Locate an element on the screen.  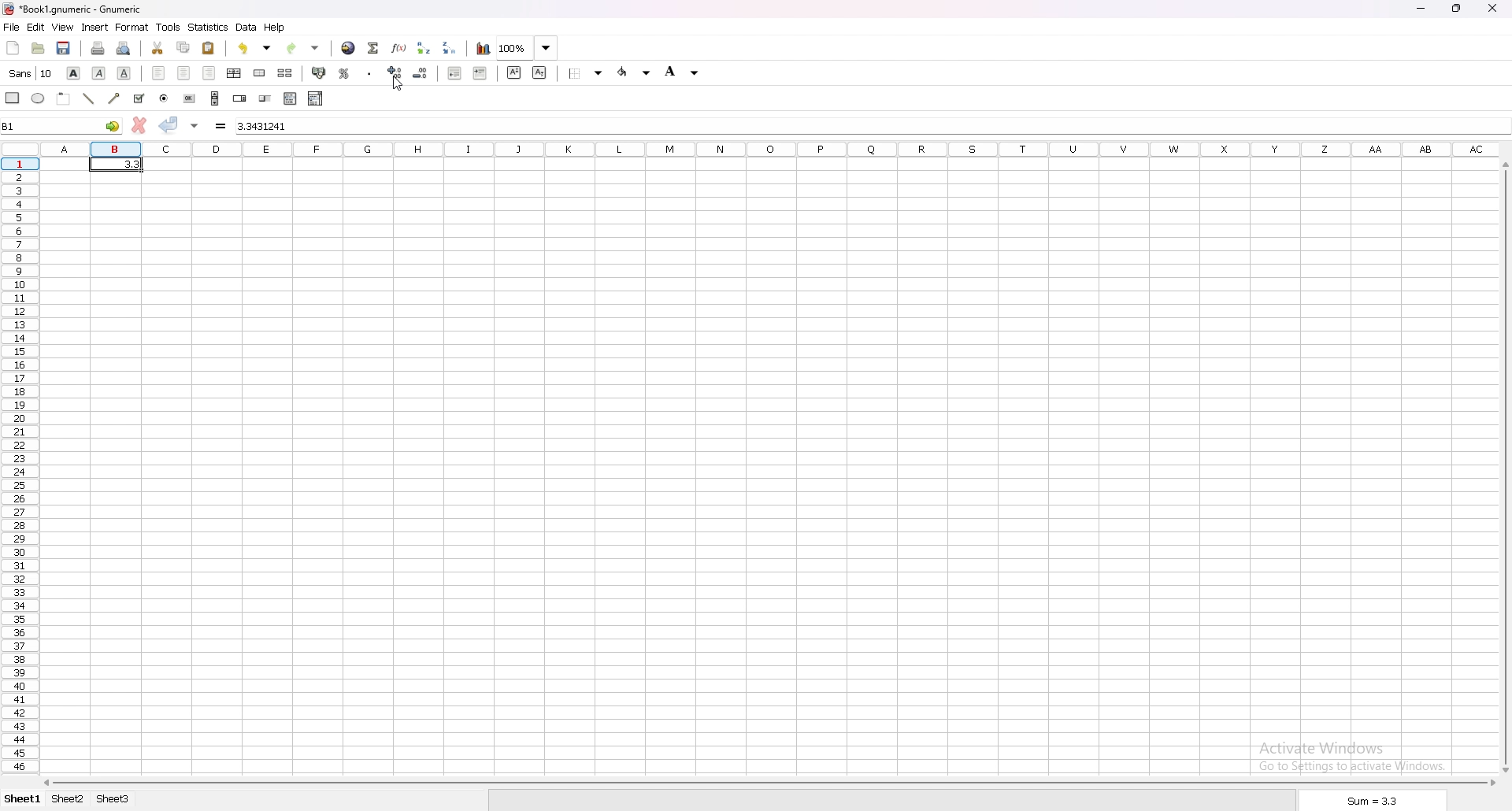
spin button is located at coordinates (240, 98).